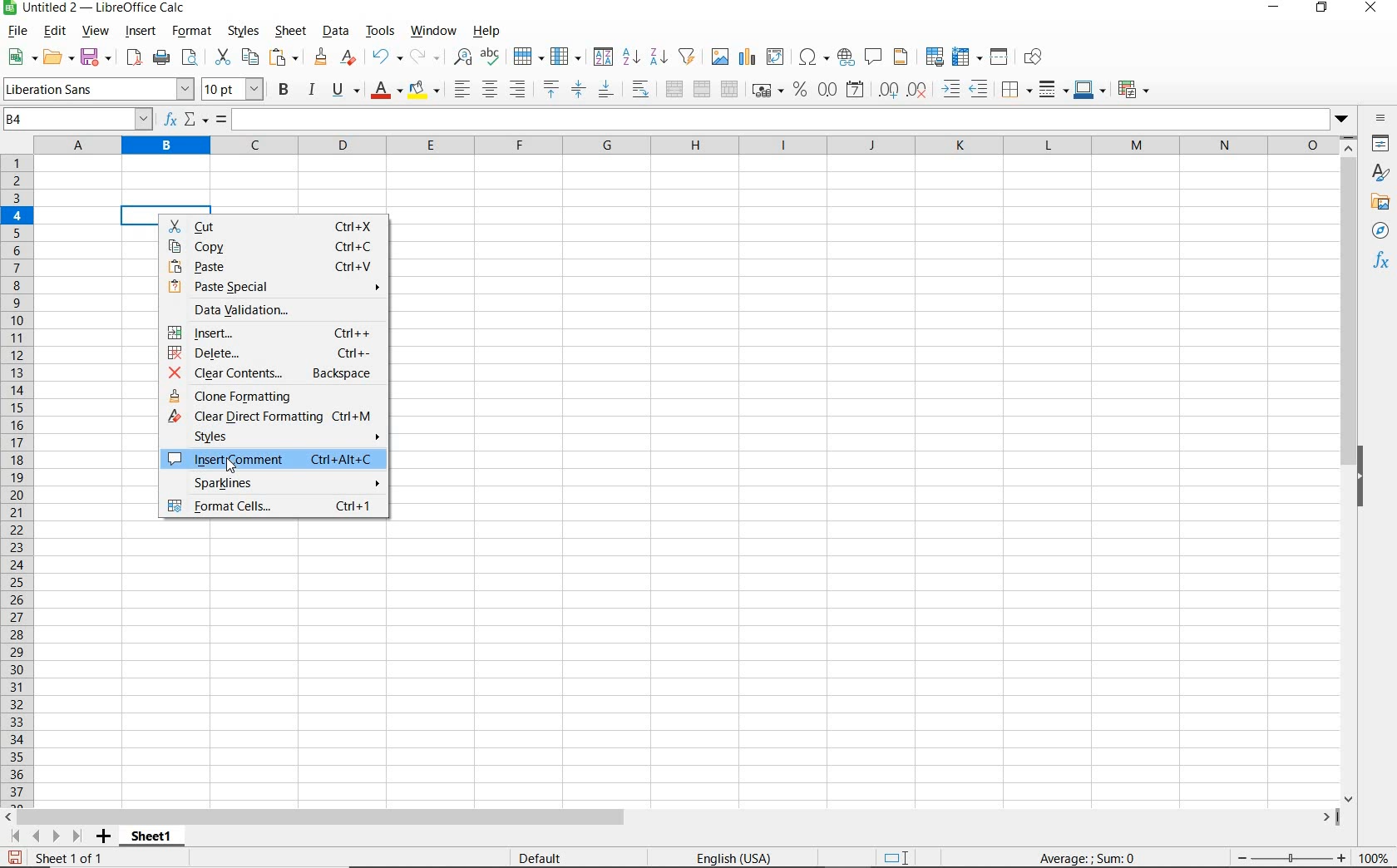  Describe the element at coordinates (220, 118) in the screenshot. I see `formula` at that location.